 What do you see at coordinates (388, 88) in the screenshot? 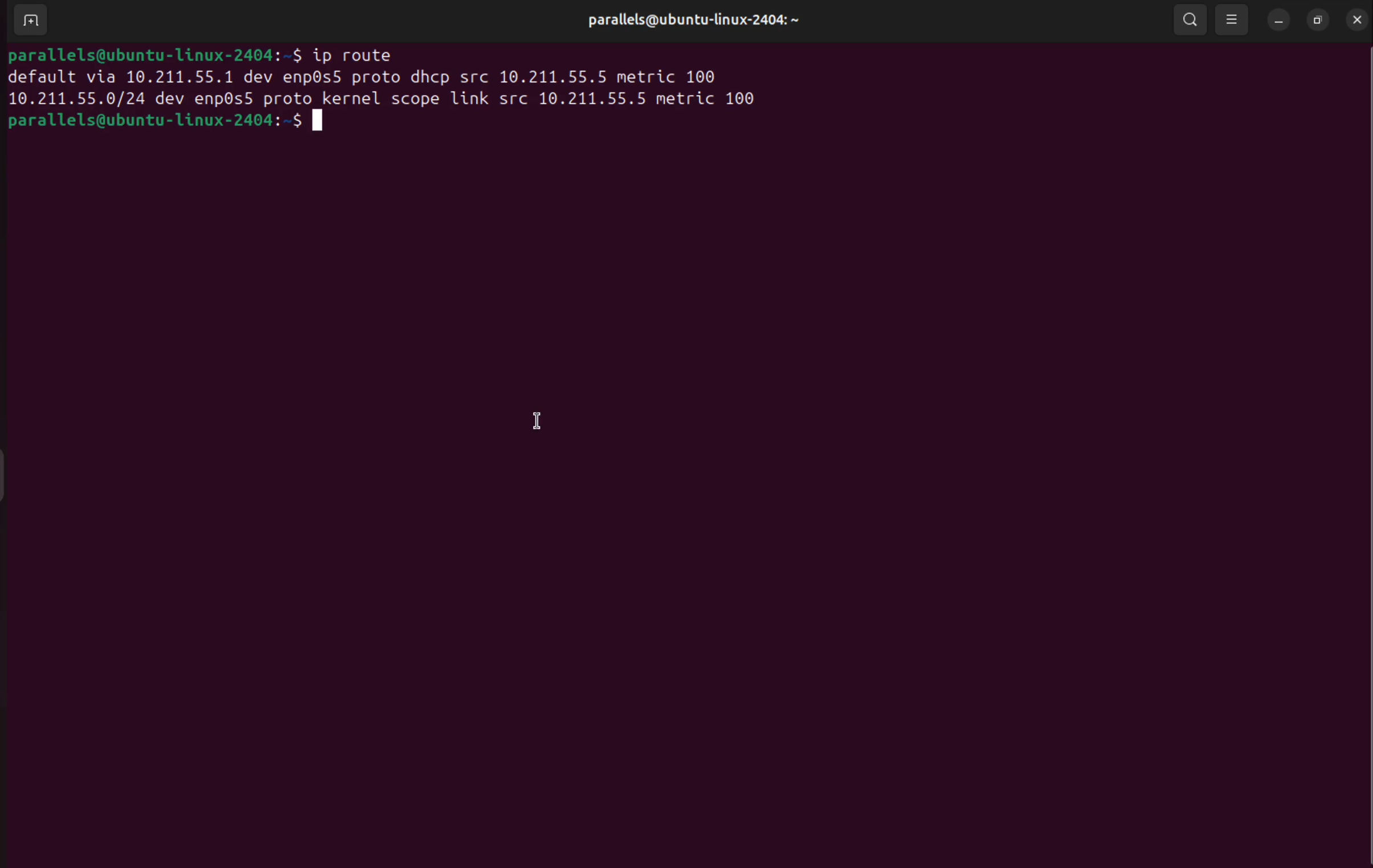
I see `network configuration` at bounding box center [388, 88].